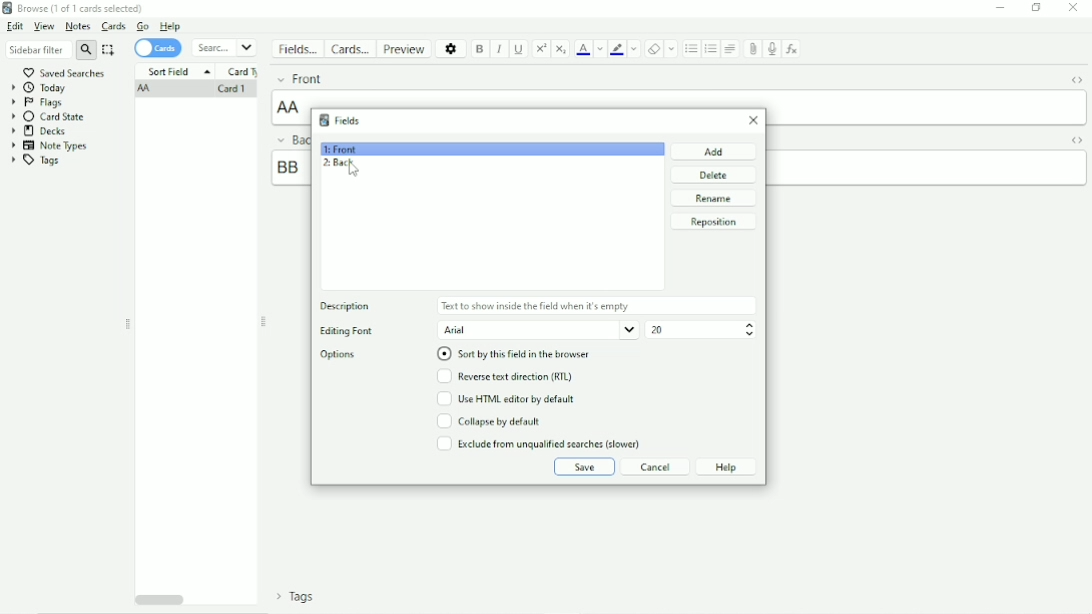 The image size is (1092, 614). I want to click on Minimize, so click(1000, 8).